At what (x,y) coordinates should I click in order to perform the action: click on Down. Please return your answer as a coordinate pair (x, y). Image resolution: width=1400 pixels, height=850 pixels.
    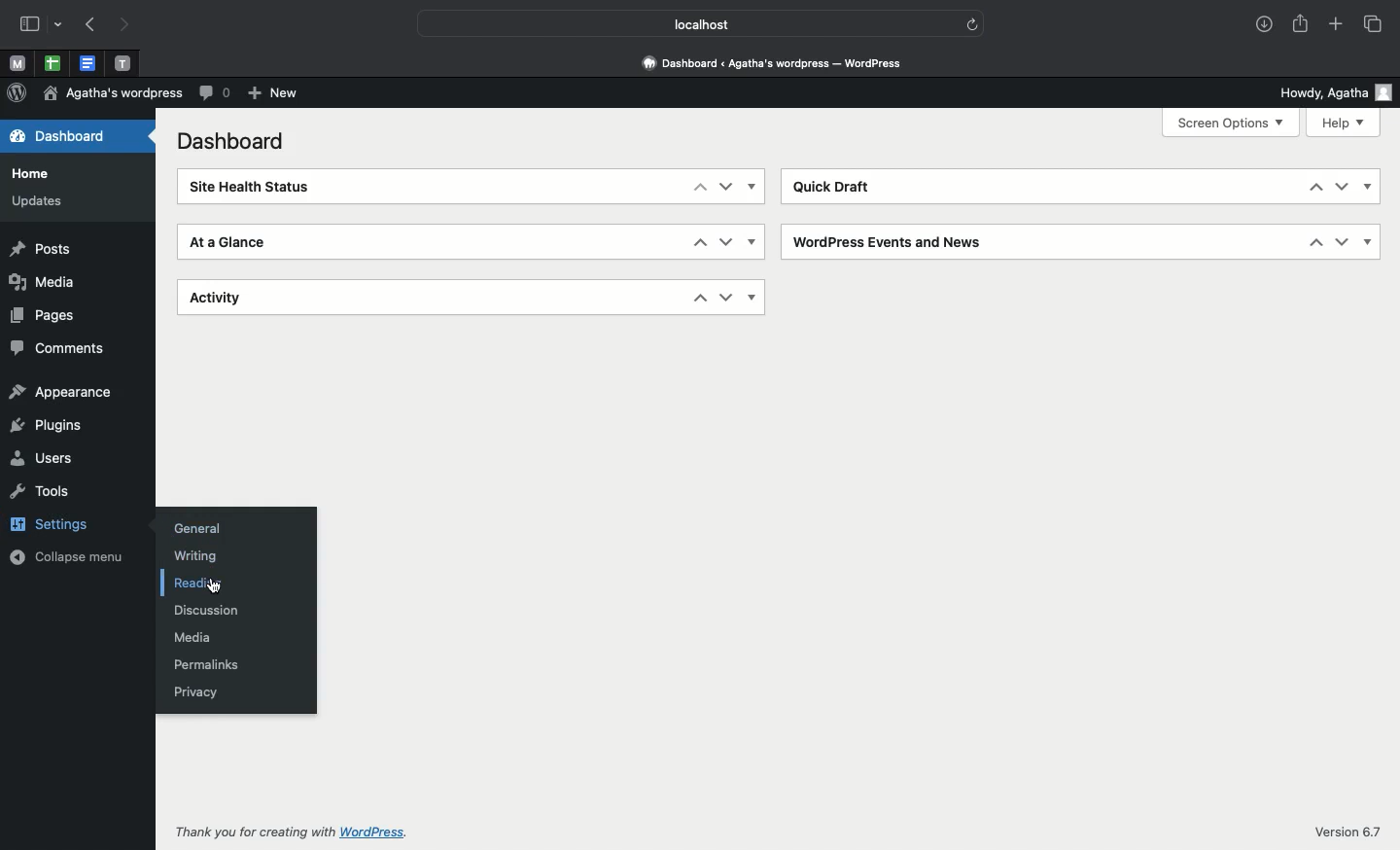
    Looking at the image, I should click on (729, 188).